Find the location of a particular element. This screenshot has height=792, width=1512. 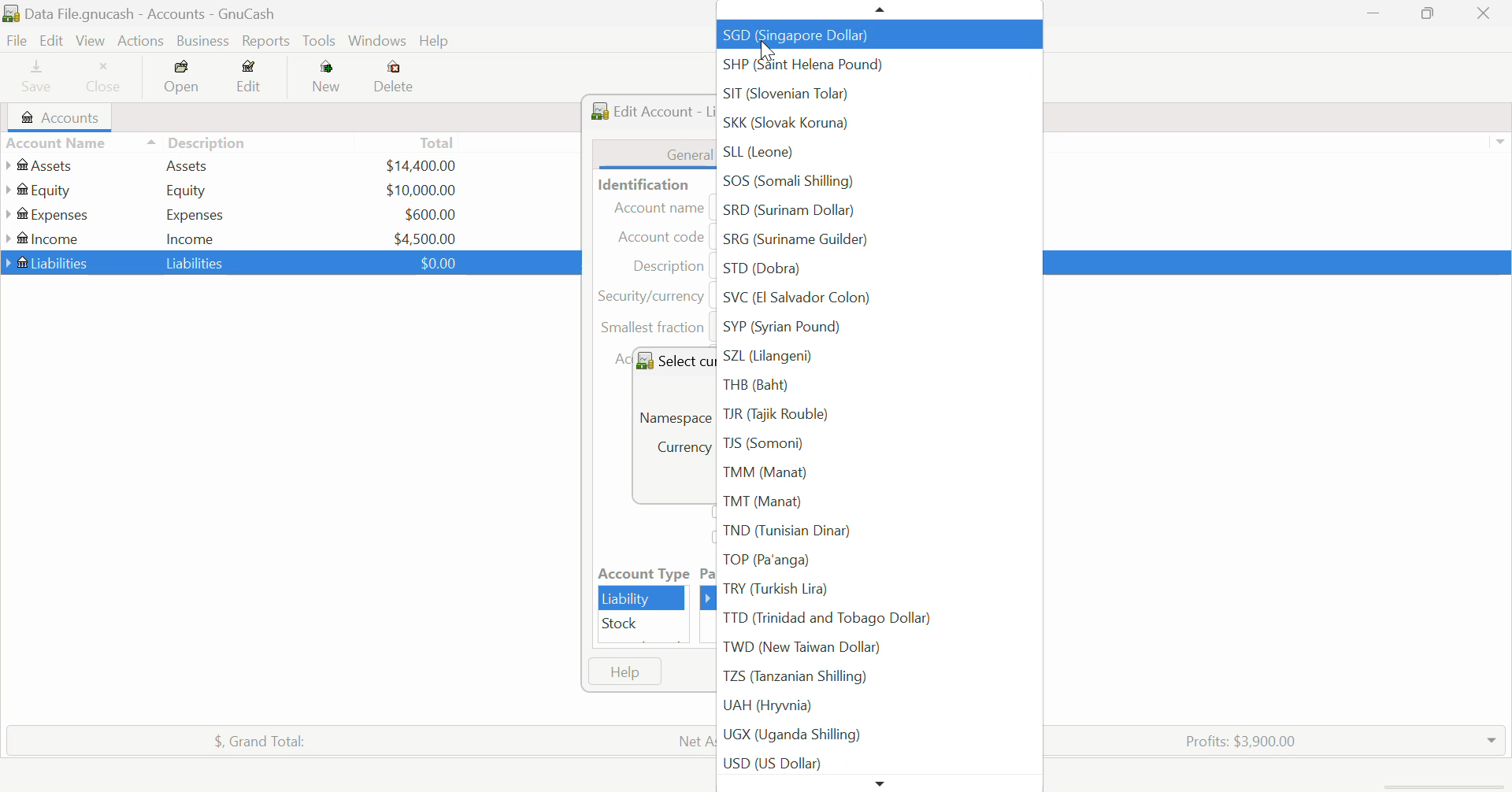

Description is located at coordinates (197, 141).